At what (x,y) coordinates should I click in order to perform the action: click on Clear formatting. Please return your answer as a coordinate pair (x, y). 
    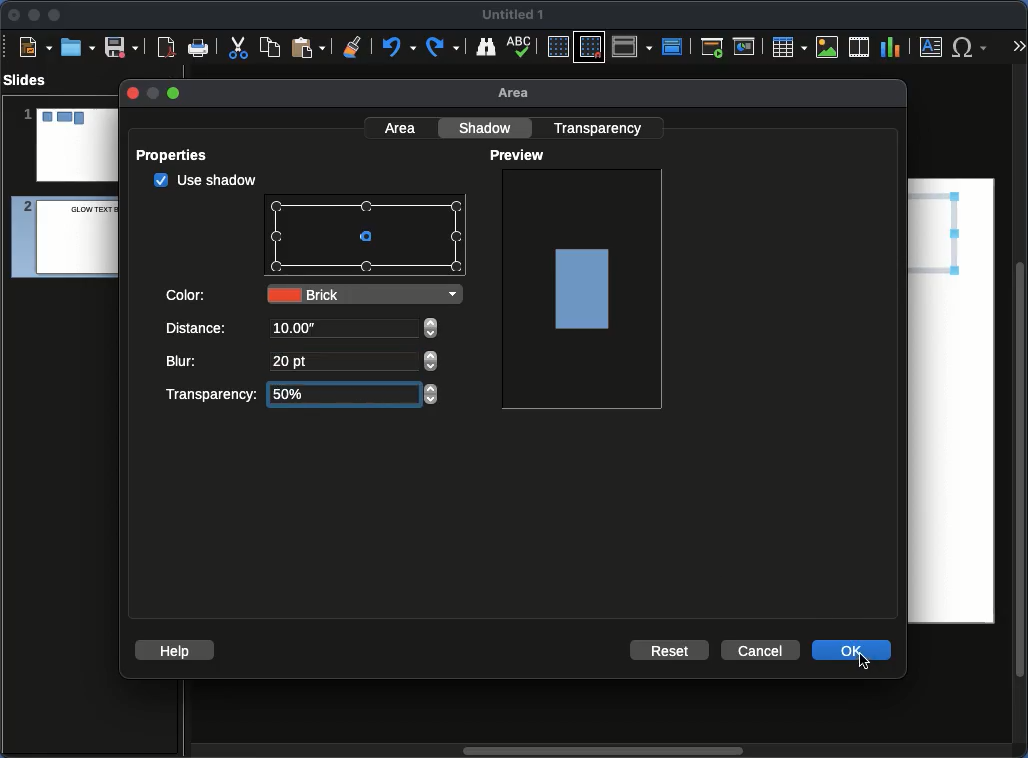
    Looking at the image, I should click on (353, 45).